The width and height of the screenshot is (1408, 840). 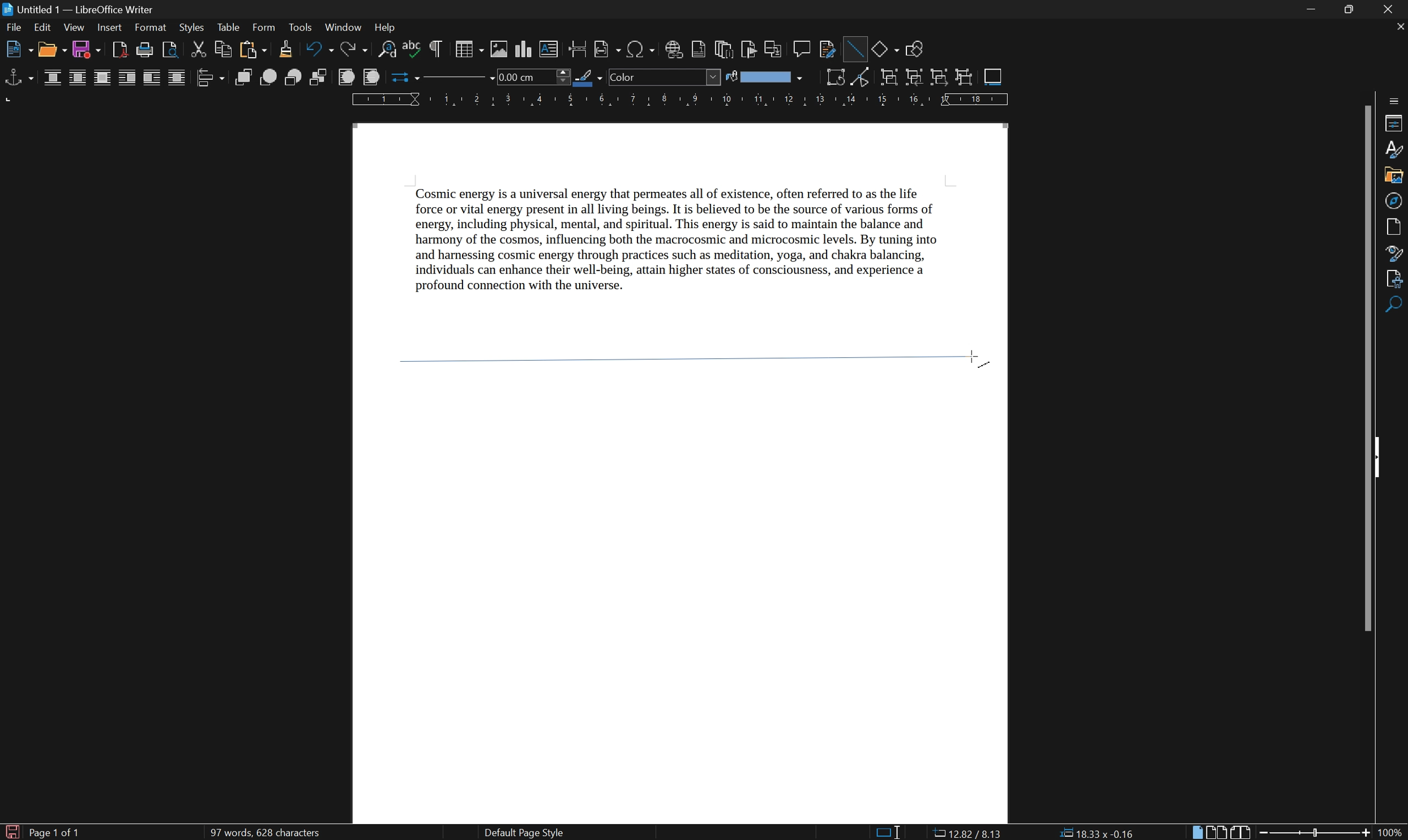 What do you see at coordinates (1396, 331) in the screenshot?
I see `find` at bounding box center [1396, 331].